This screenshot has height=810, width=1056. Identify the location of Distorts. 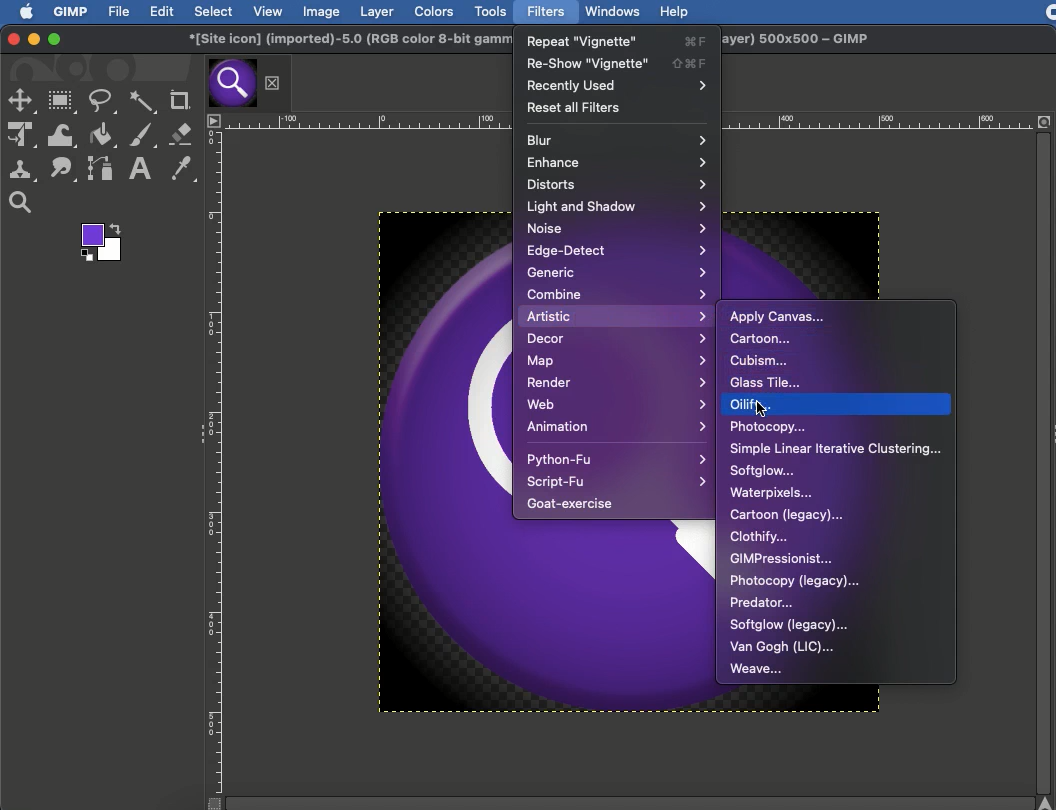
(619, 183).